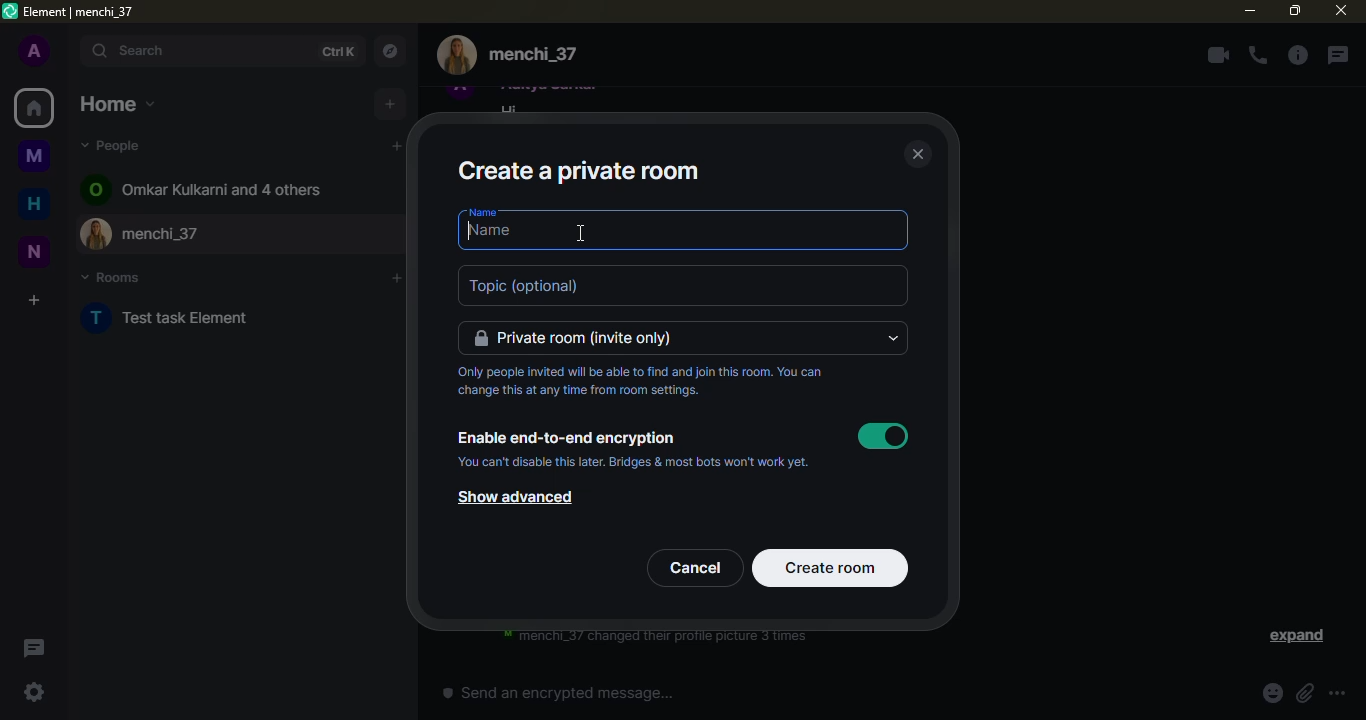 This screenshot has height=720, width=1366. What do you see at coordinates (509, 108) in the screenshot?
I see `Hi` at bounding box center [509, 108].